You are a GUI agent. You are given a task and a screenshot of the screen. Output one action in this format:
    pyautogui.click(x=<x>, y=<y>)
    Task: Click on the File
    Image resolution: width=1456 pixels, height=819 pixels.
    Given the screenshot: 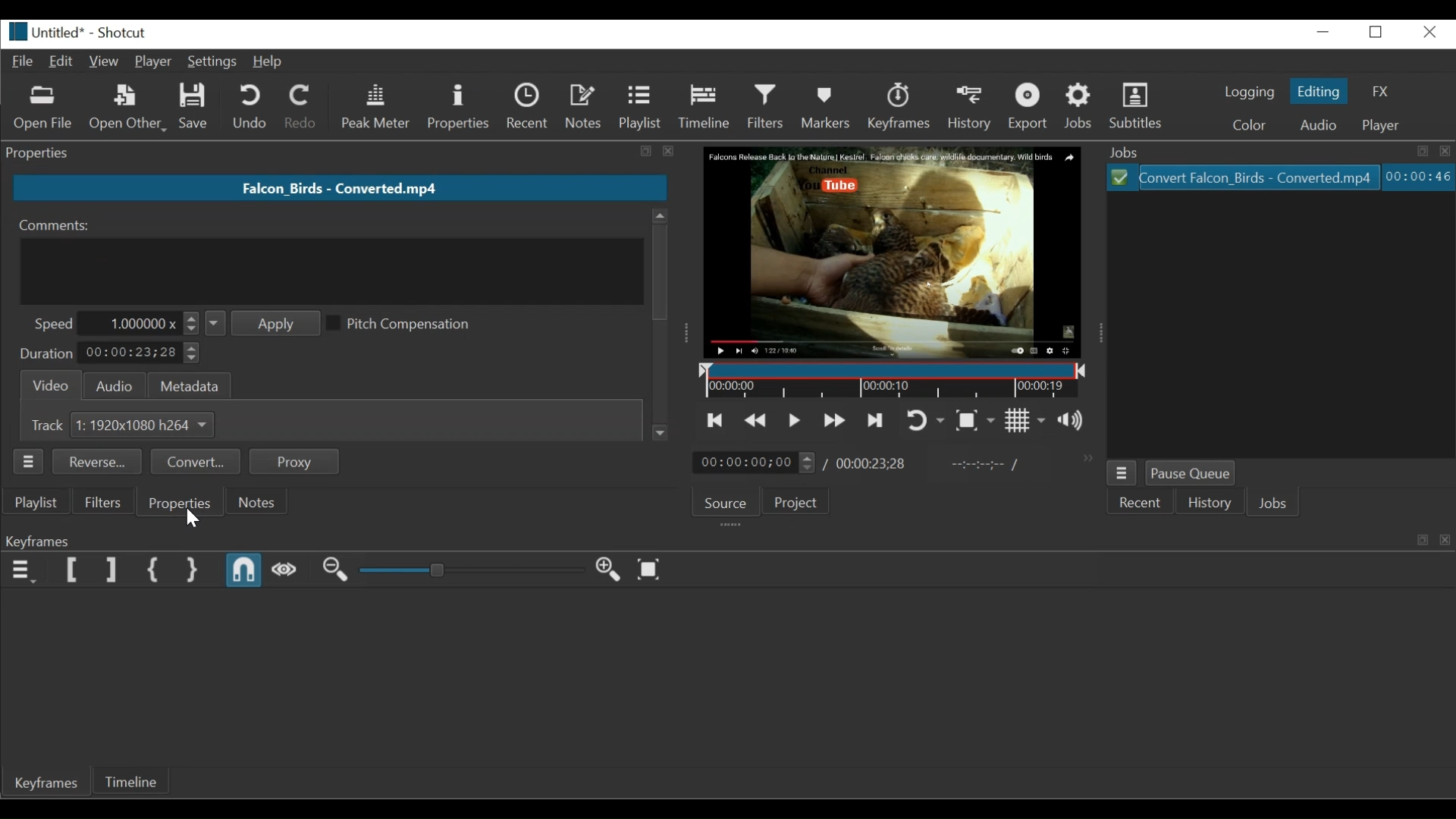 What is the action you would take?
    pyautogui.click(x=22, y=63)
    